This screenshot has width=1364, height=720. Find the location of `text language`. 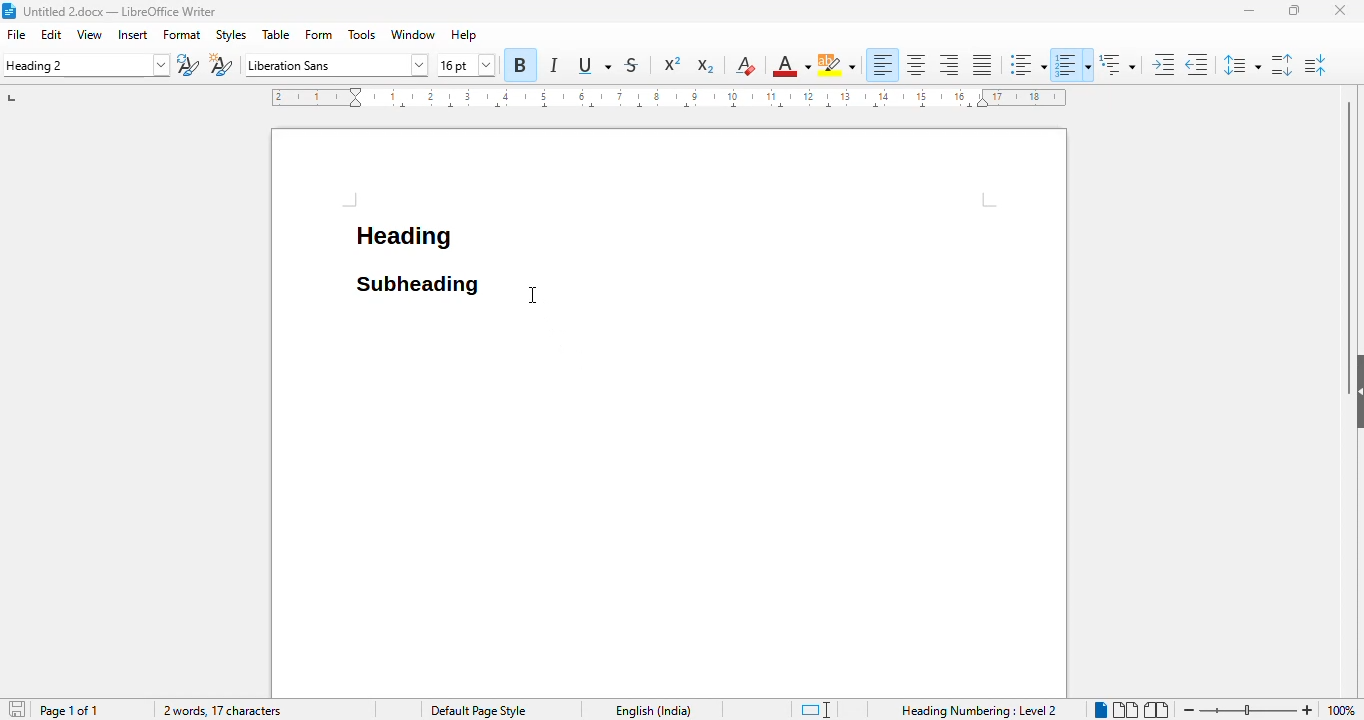

text language is located at coordinates (654, 711).